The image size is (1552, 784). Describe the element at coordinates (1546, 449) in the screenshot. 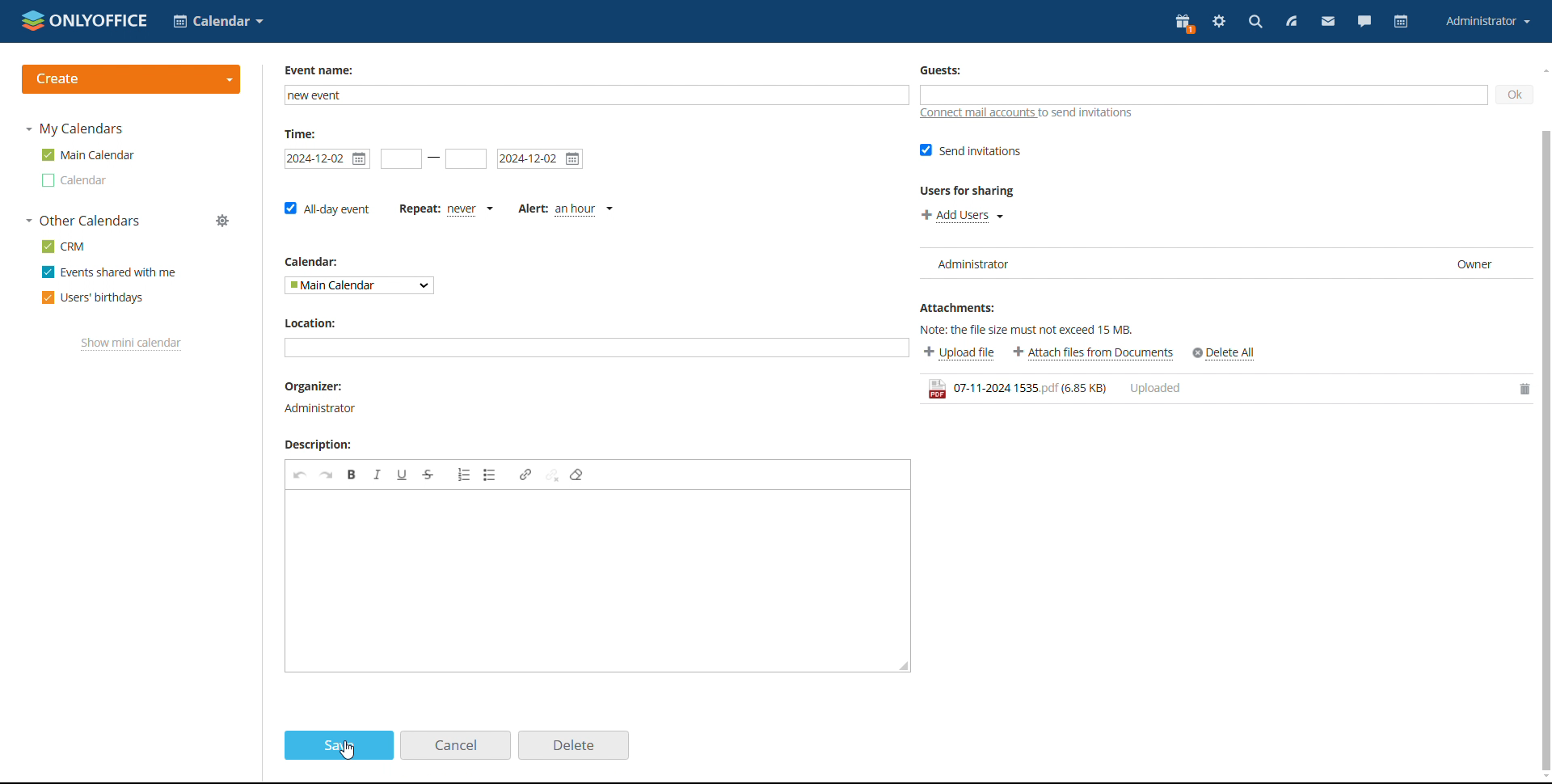

I see `scrollbar` at that location.